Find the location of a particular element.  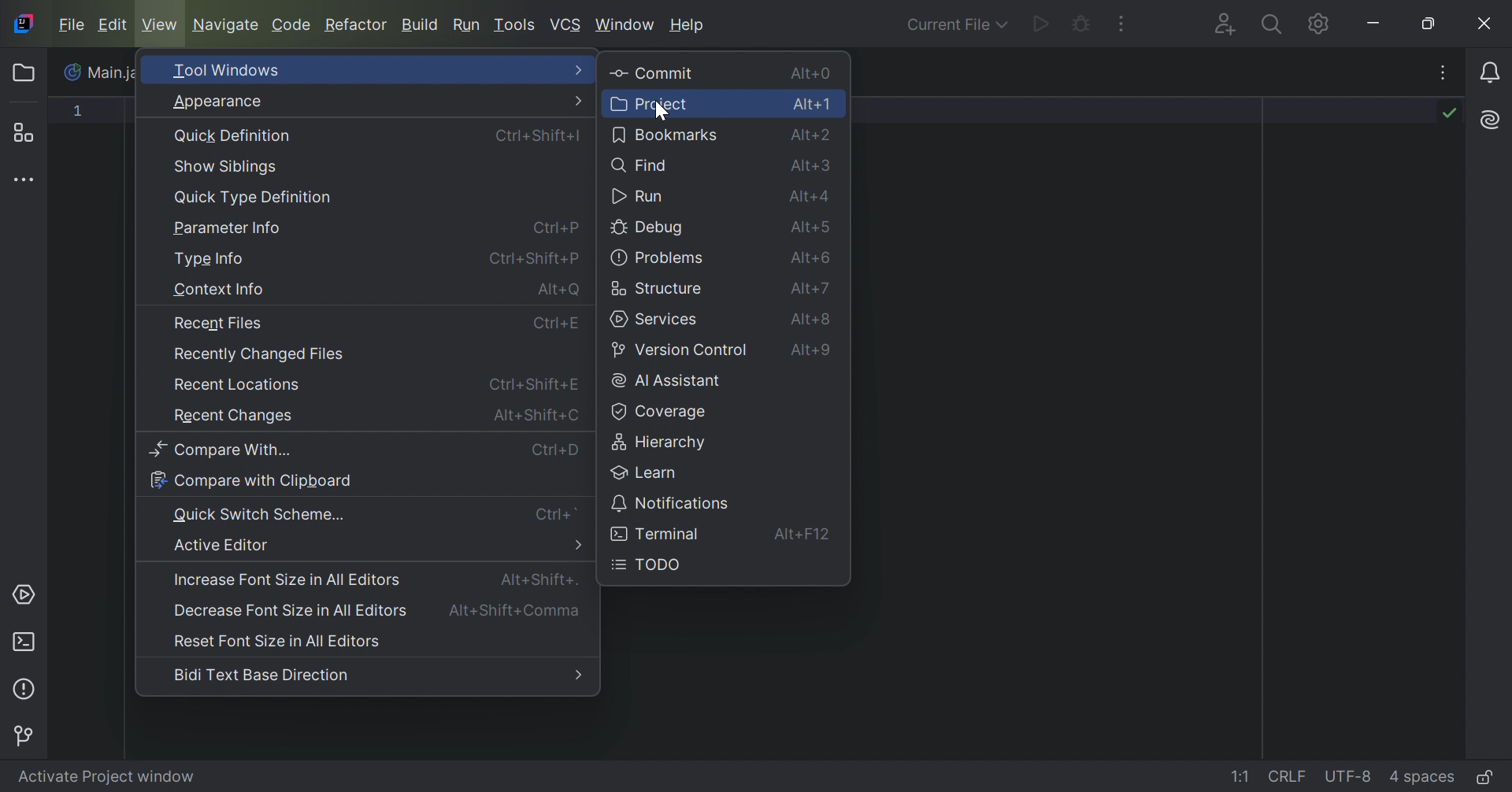

Parameter Info is located at coordinates (231, 229).